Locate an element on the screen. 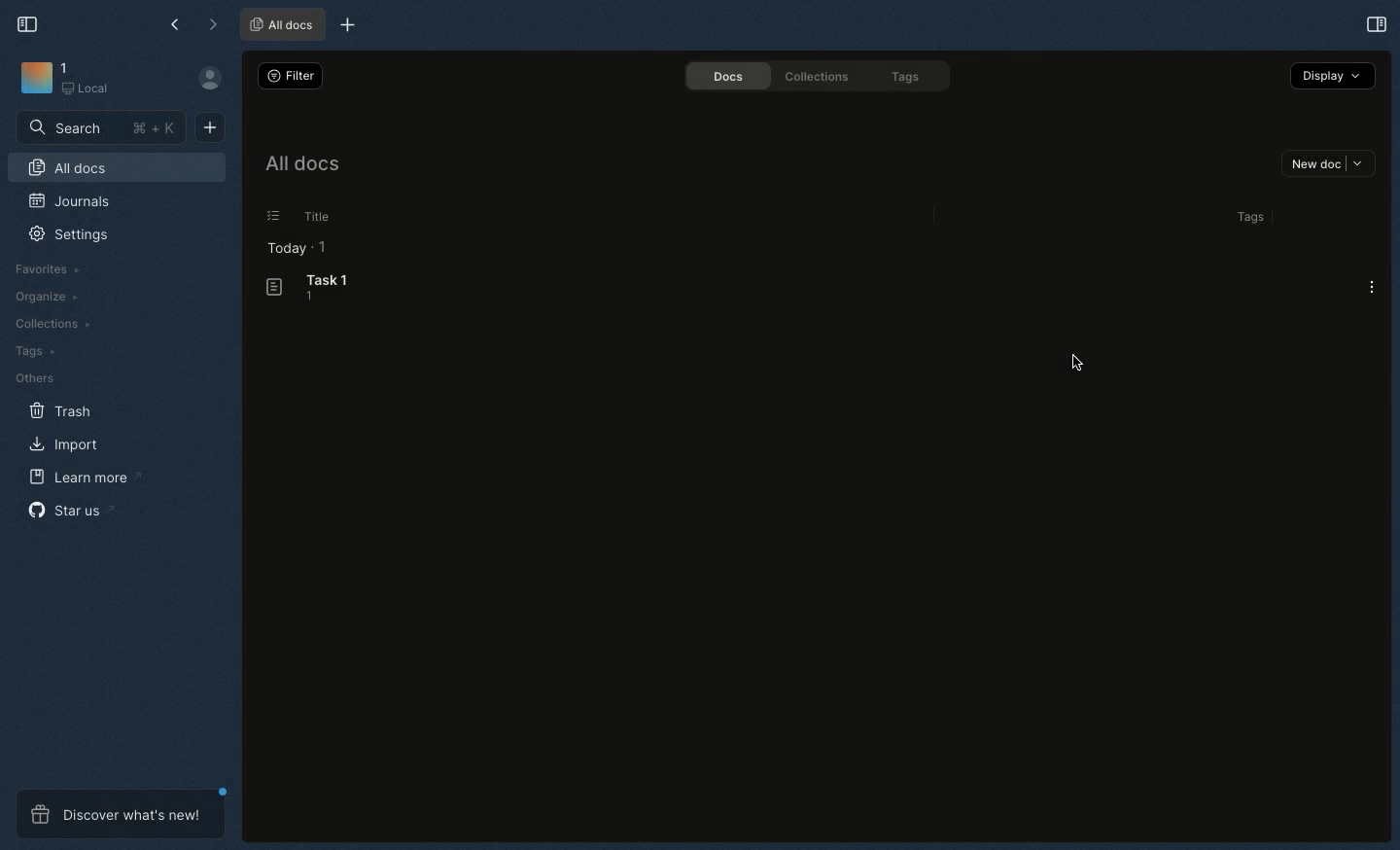 The width and height of the screenshot is (1400, 850). Journals is located at coordinates (65, 199).